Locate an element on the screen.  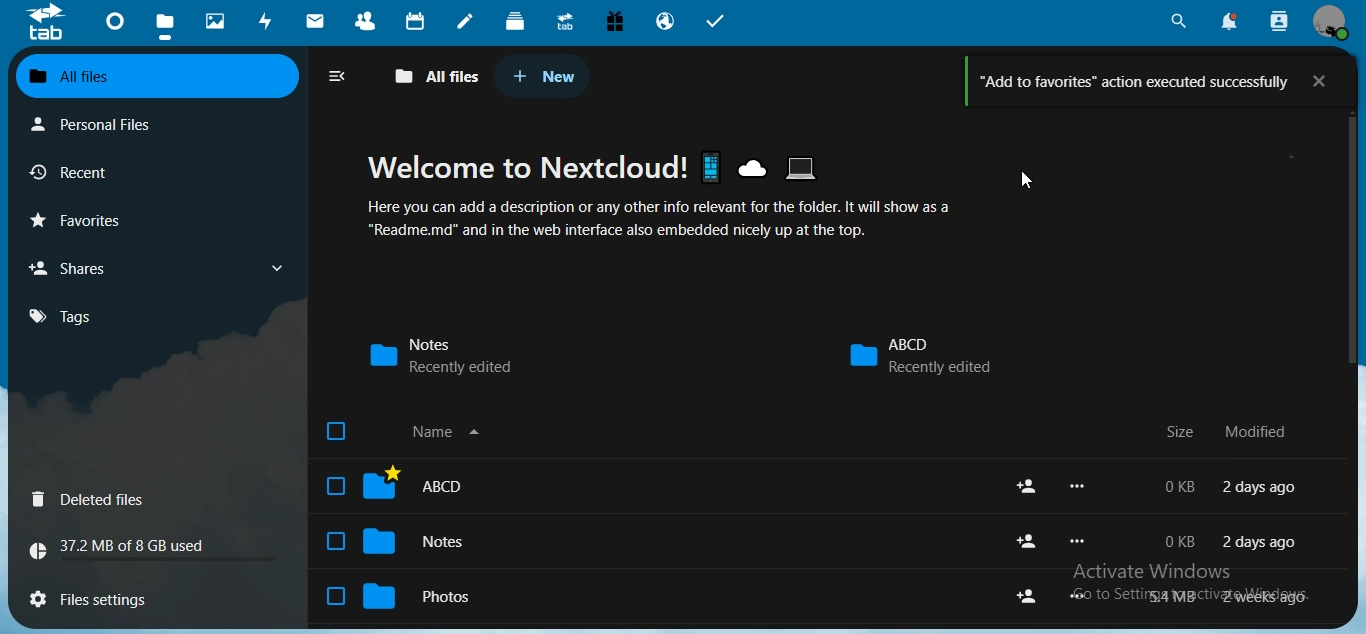
text is located at coordinates (125, 542).